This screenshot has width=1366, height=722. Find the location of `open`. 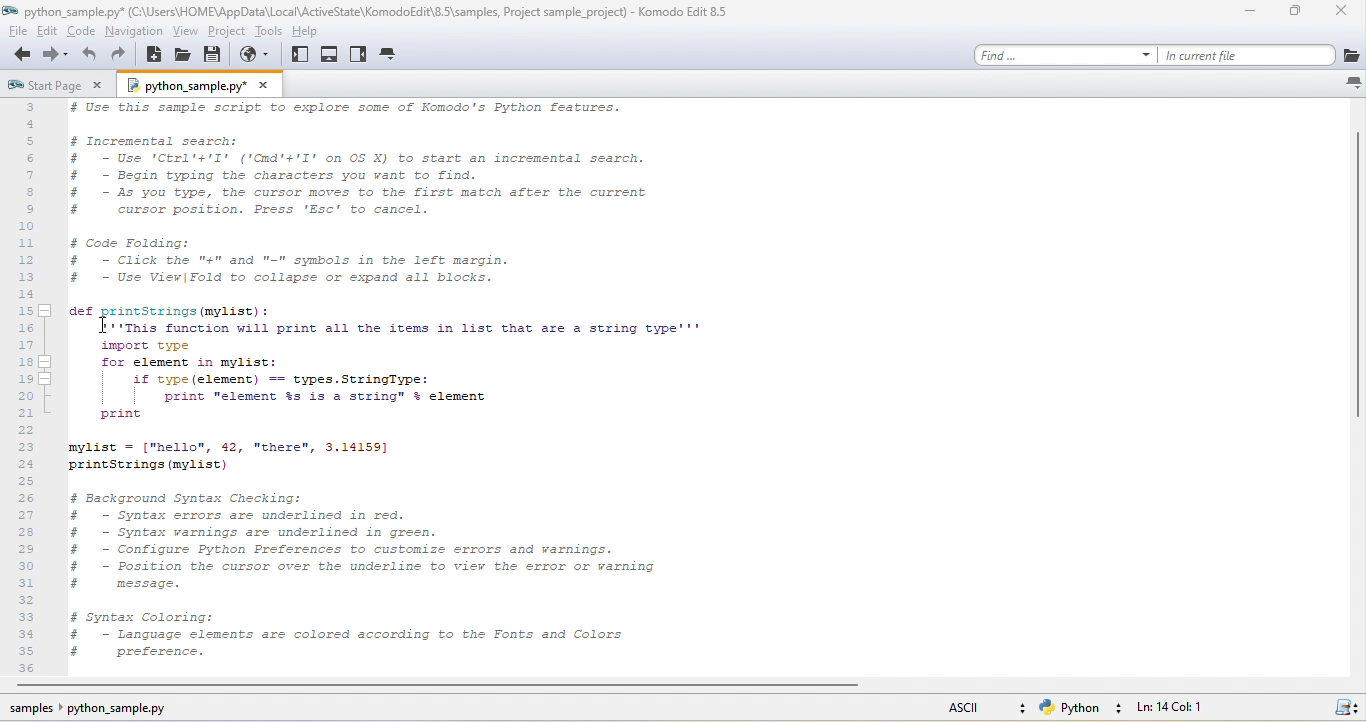

open is located at coordinates (184, 56).